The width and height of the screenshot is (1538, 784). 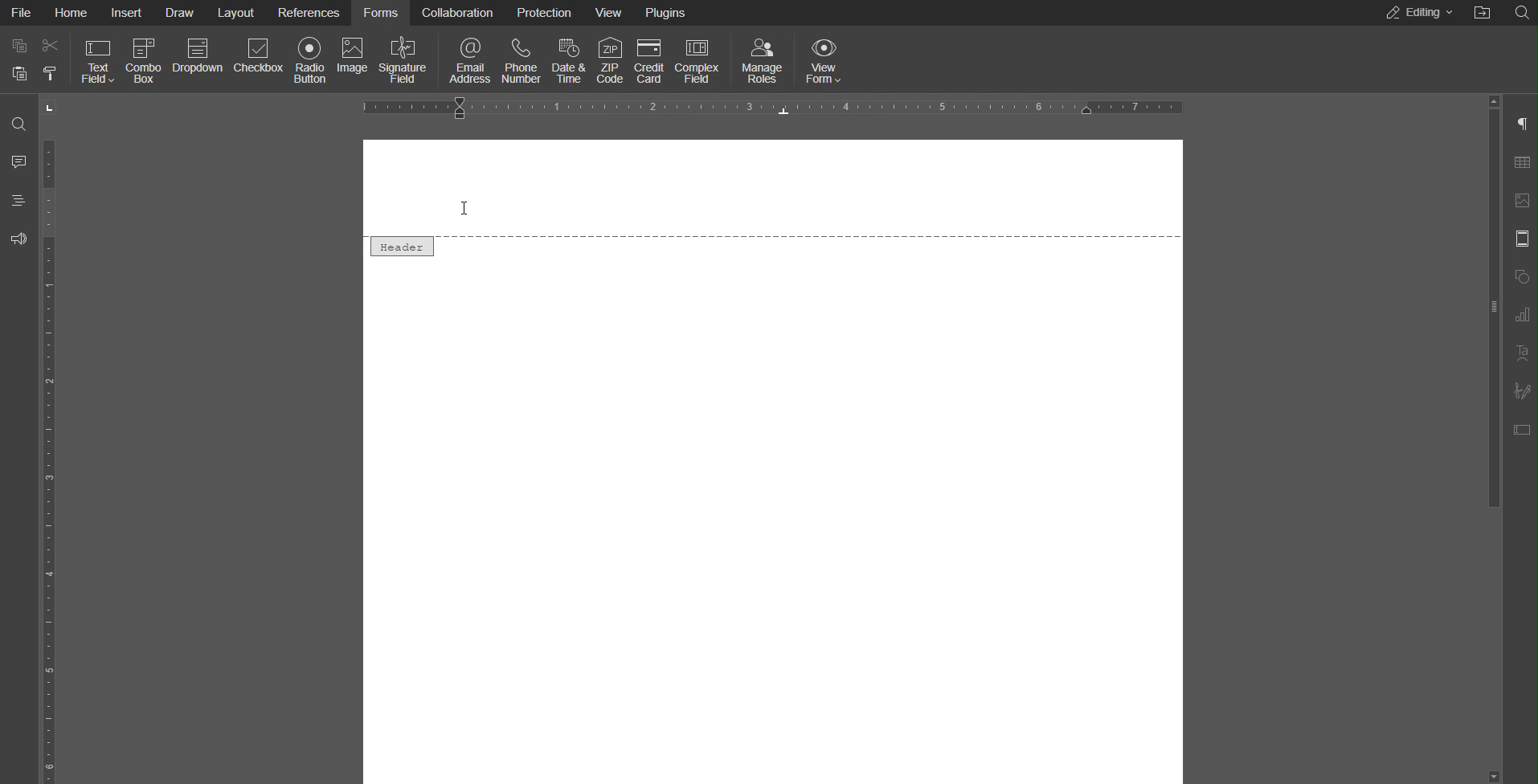 I want to click on Cut Copy Paste, so click(x=35, y=60).